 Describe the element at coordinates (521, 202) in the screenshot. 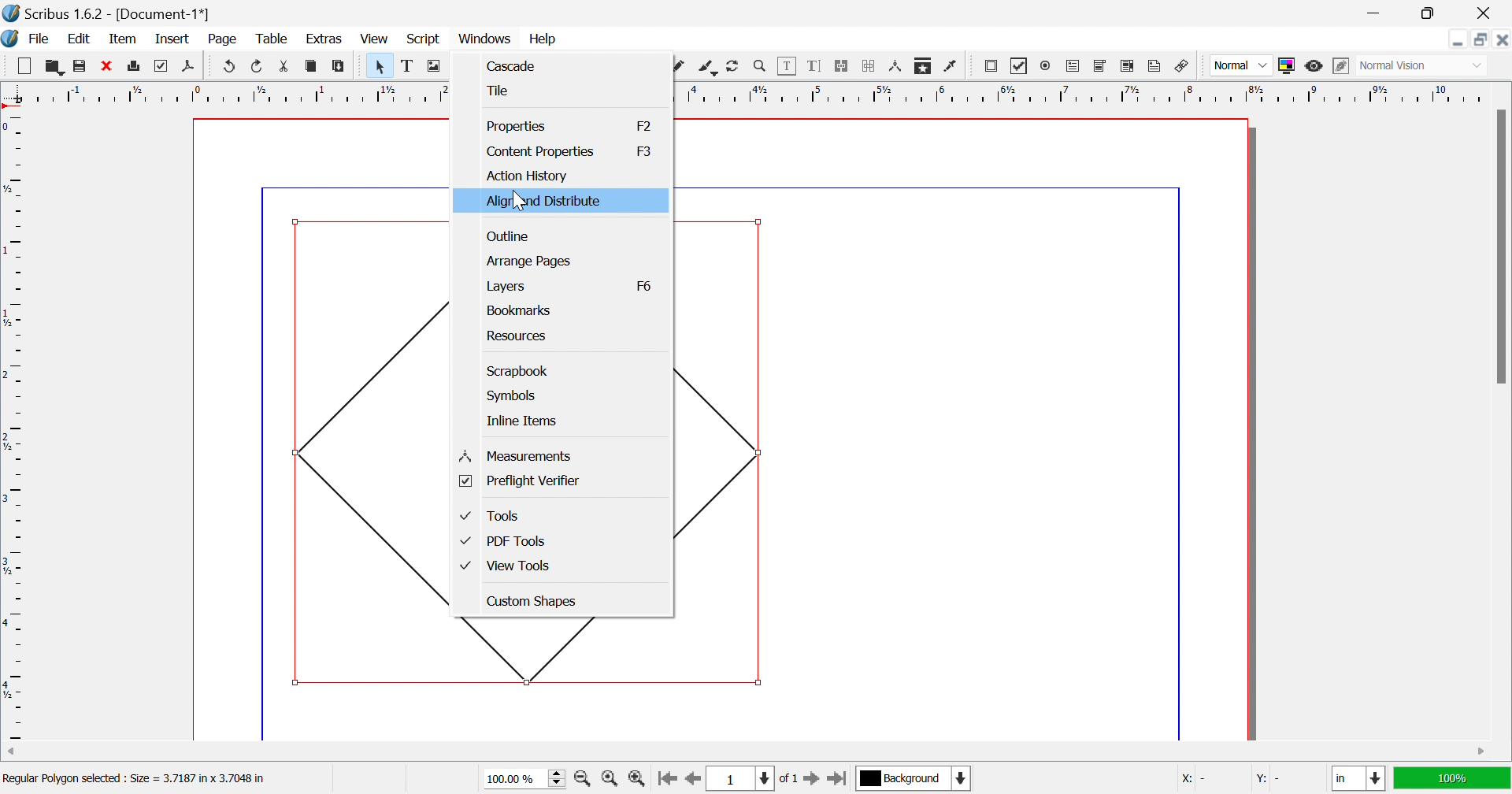

I see `Cursor` at that location.